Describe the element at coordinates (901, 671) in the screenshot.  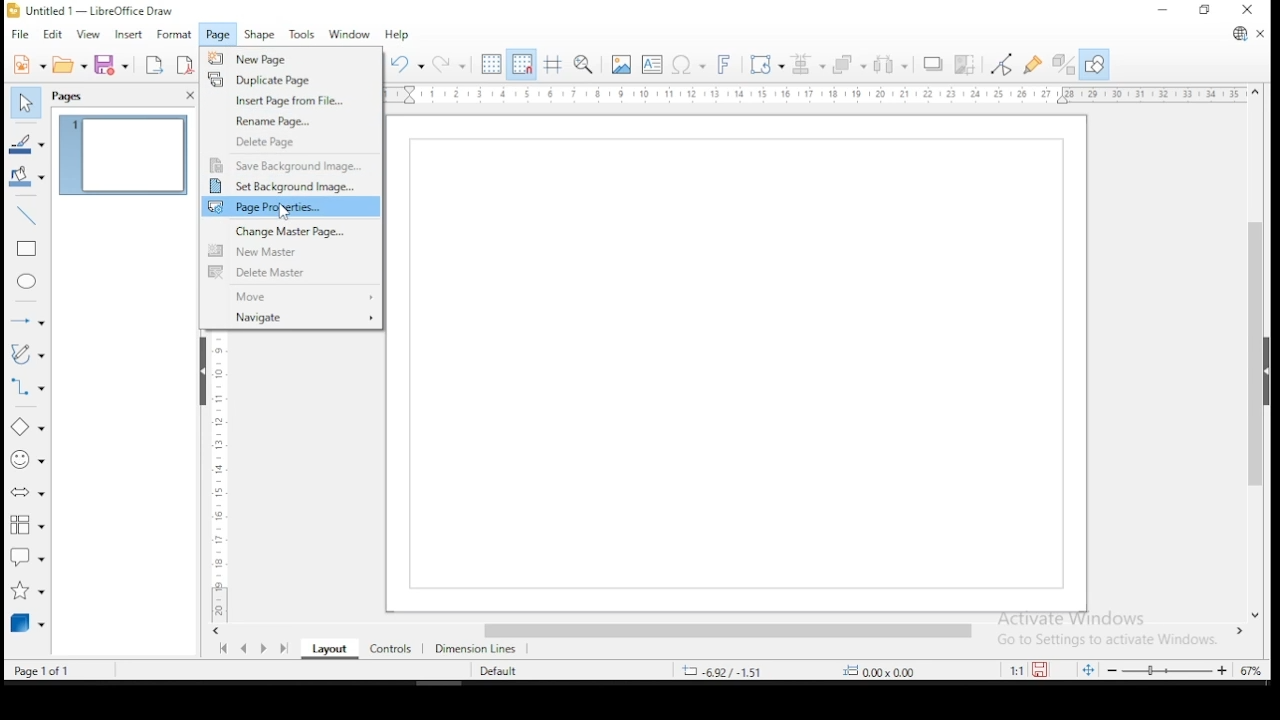
I see `0.00 x 0.00` at that location.